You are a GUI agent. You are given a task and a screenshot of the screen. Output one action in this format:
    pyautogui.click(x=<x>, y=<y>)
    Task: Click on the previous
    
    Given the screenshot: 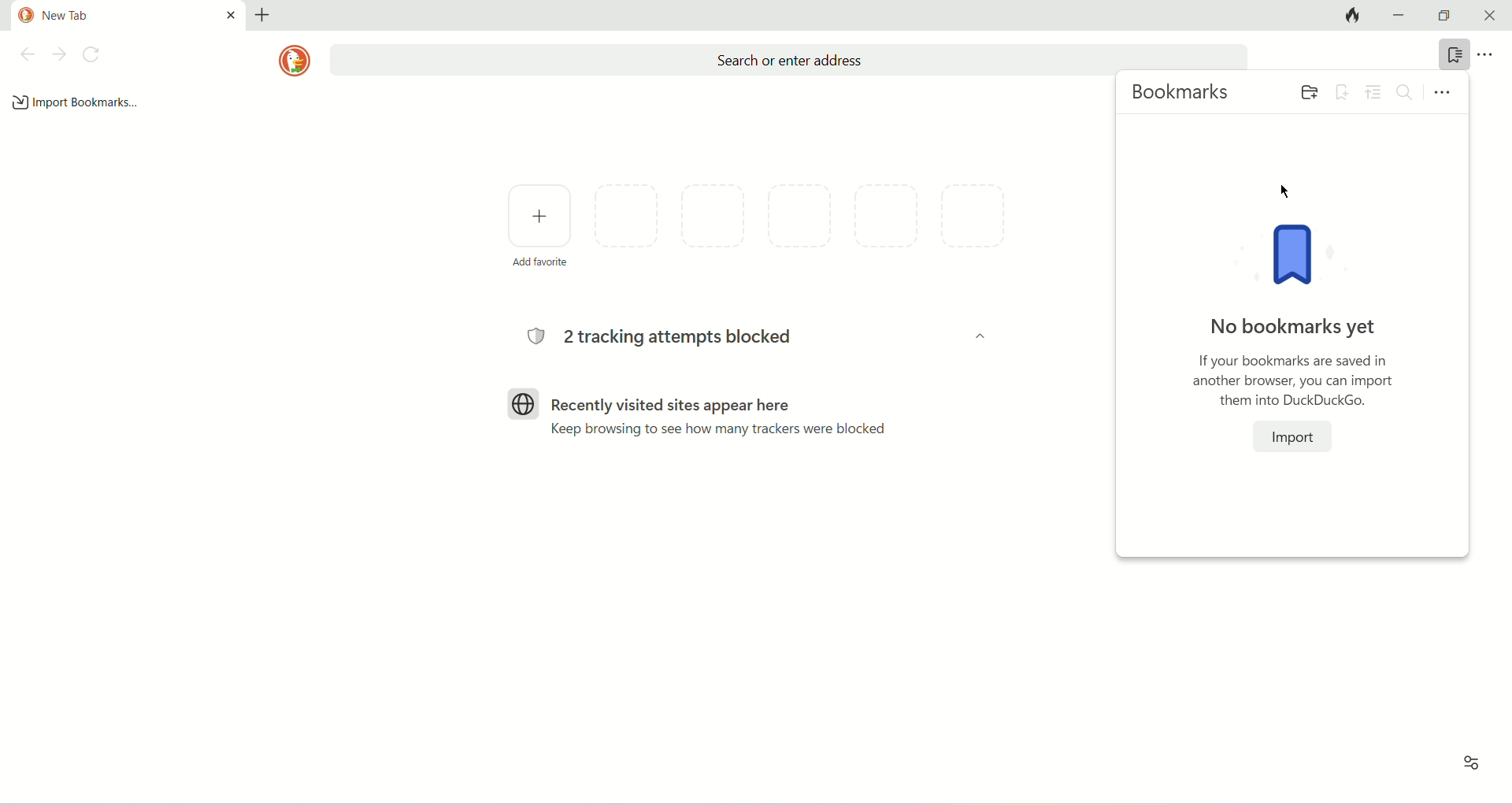 What is the action you would take?
    pyautogui.click(x=26, y=54)
    